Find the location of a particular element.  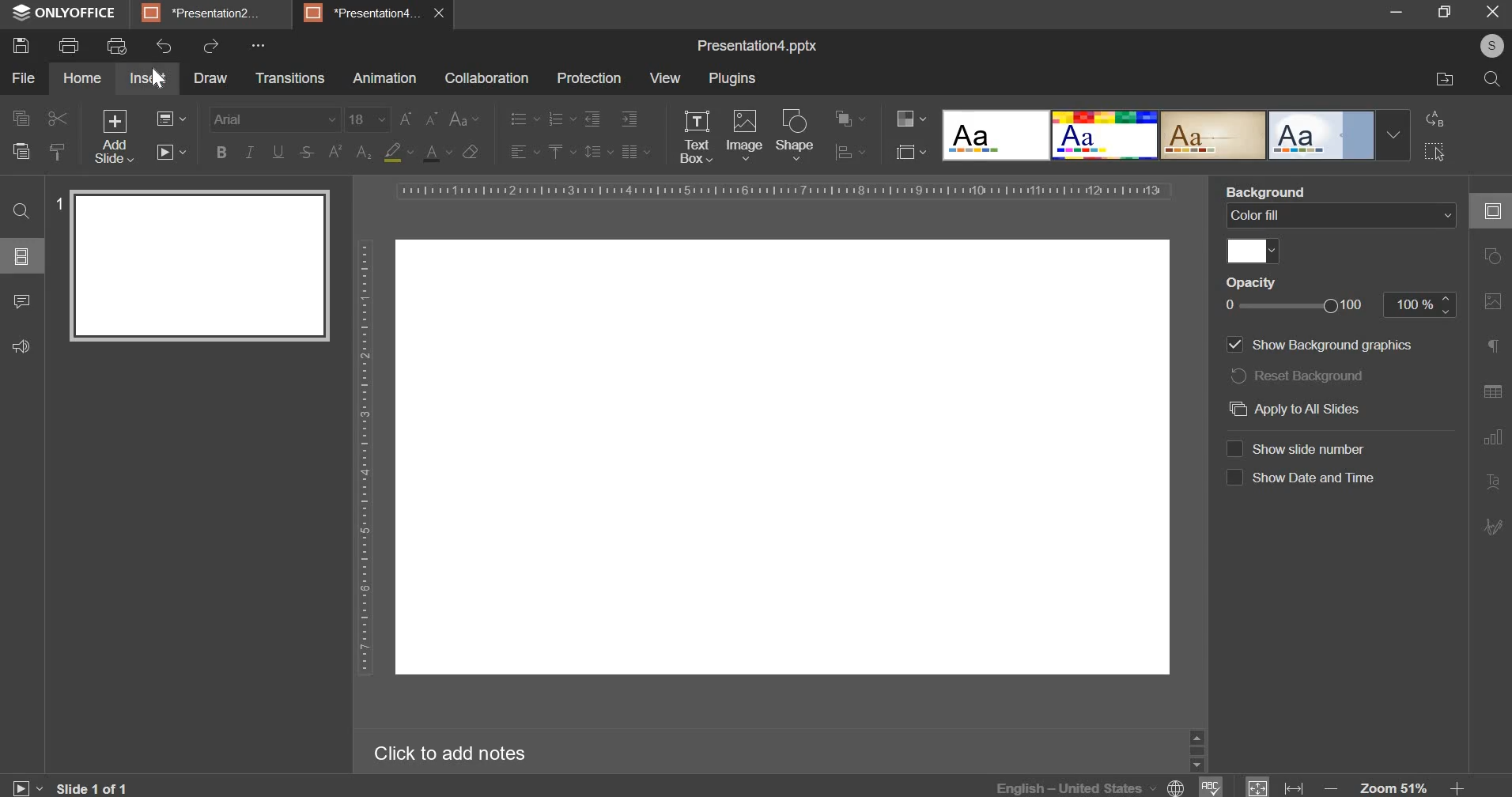

workspace is located at coordinates (784, 456).